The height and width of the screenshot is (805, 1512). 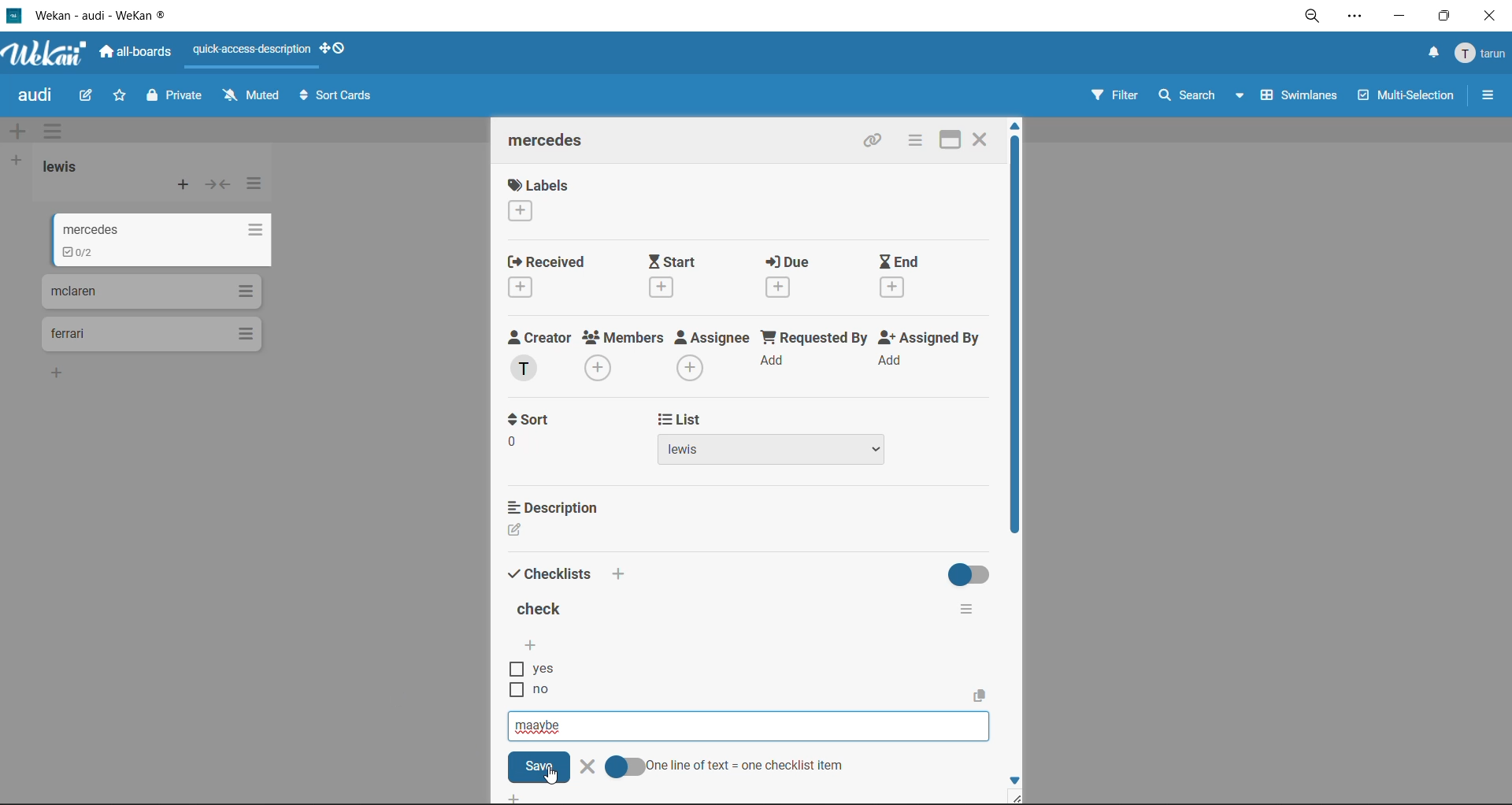 What do you see at coordinates (547, 608) in the screenshot?
I see `title of checklist` at bounding box center [547, 608].